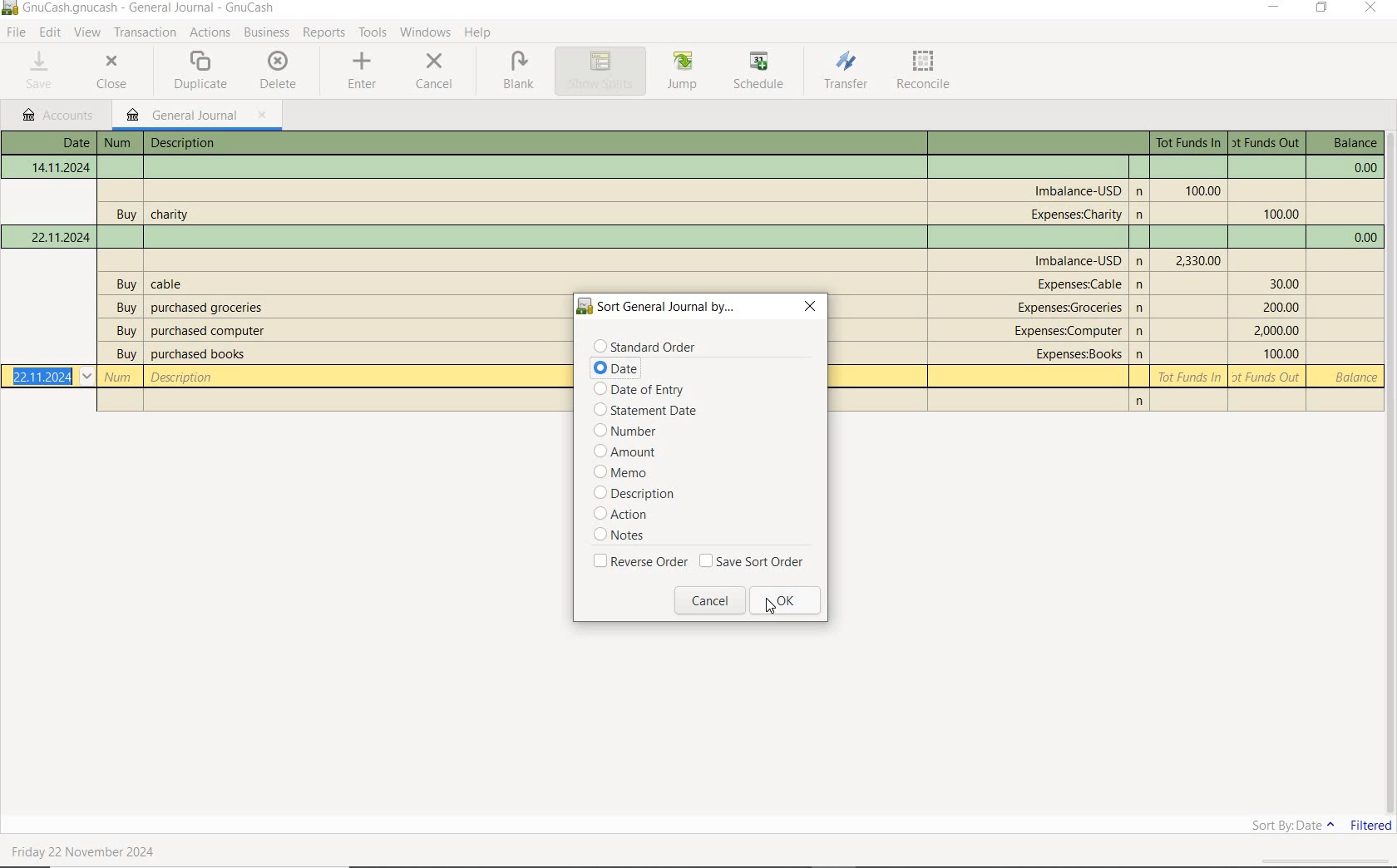  What do you see at coordinates (172, 212) in the screenshot?
I see `description` at bounding box center [172, 212].